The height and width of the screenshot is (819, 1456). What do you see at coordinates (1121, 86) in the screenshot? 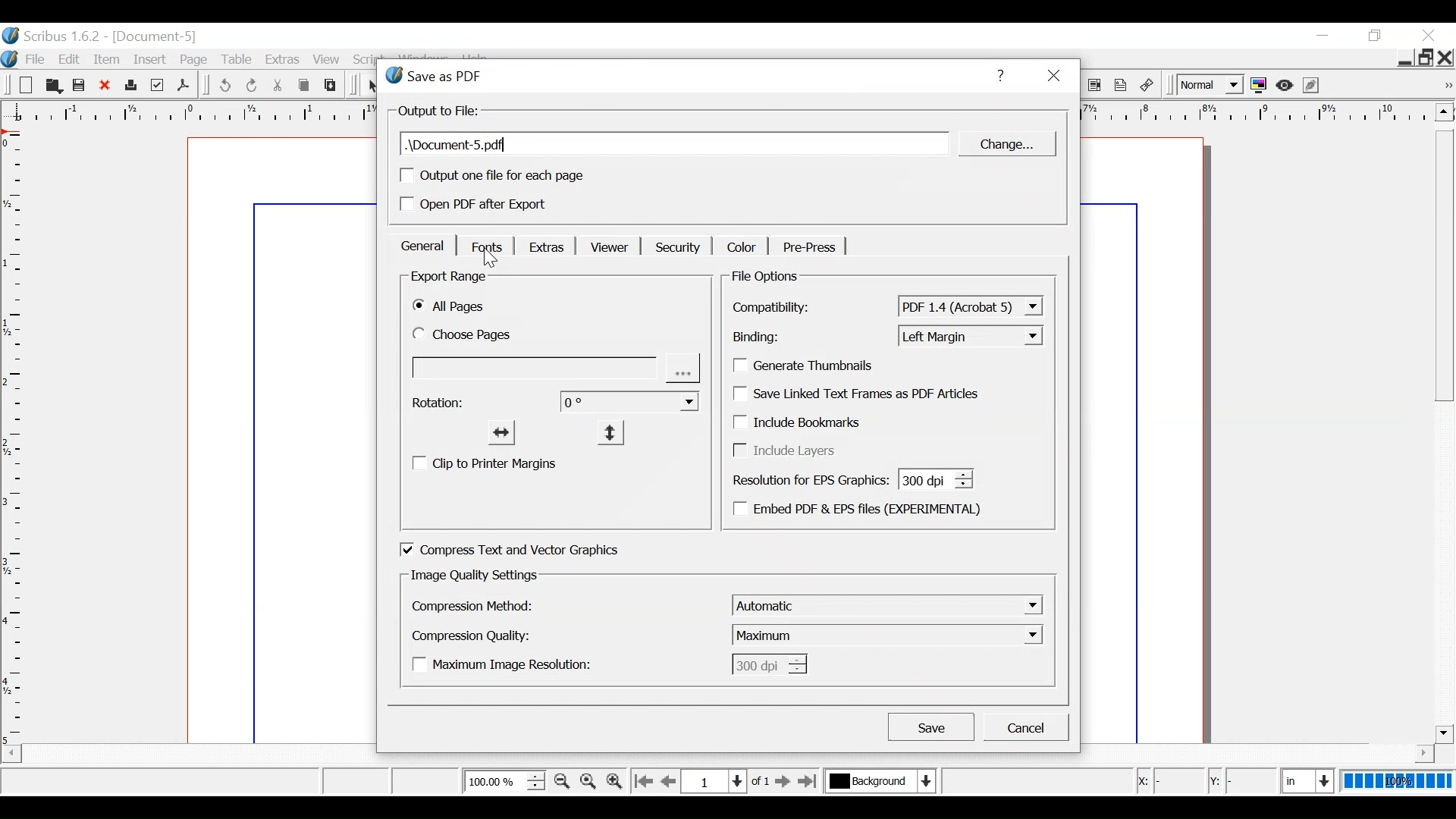
I see `Text Annotation` at bounding box center [1121, 86].